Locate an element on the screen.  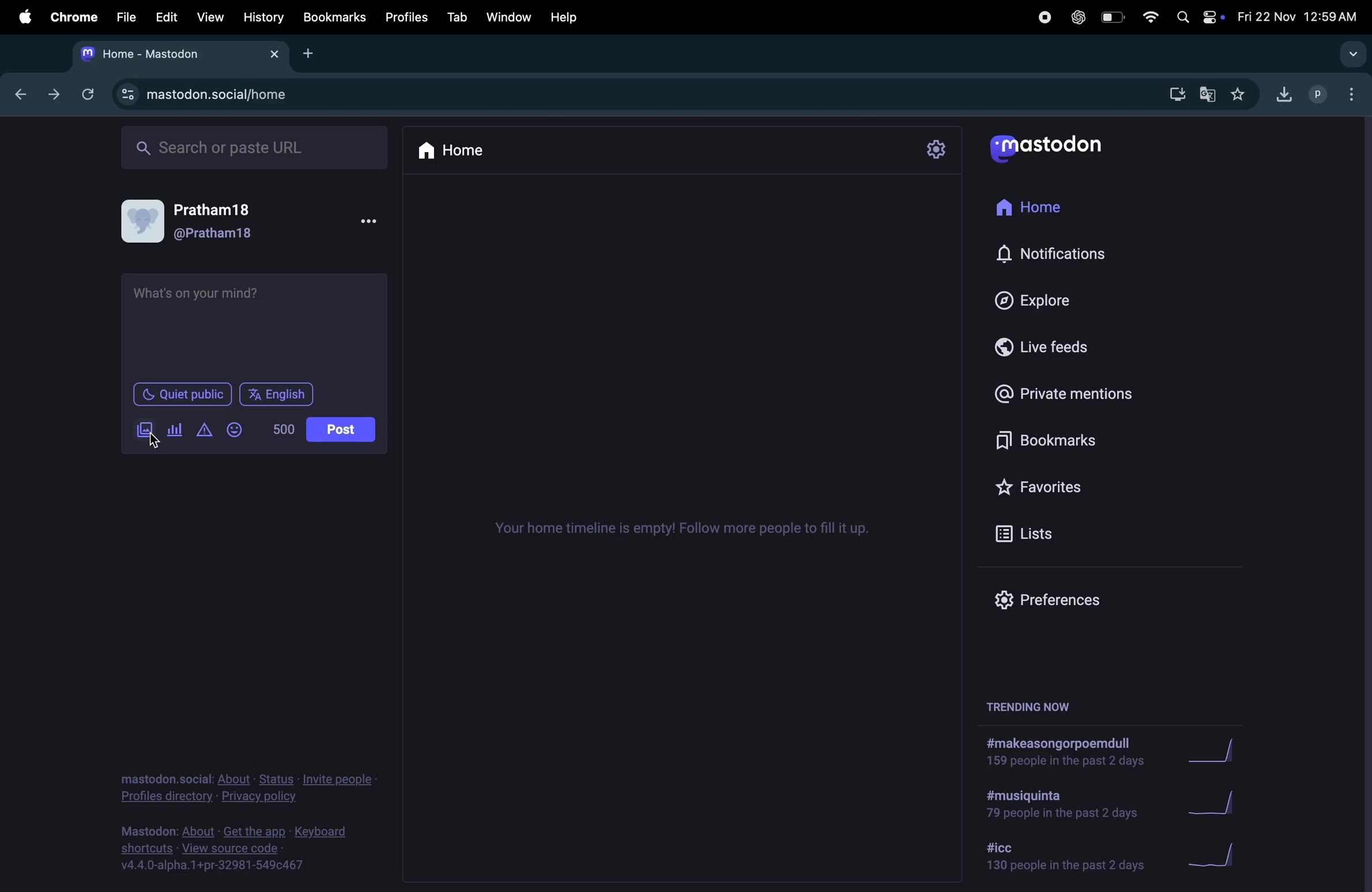
history is located at coordinates (263, 18).